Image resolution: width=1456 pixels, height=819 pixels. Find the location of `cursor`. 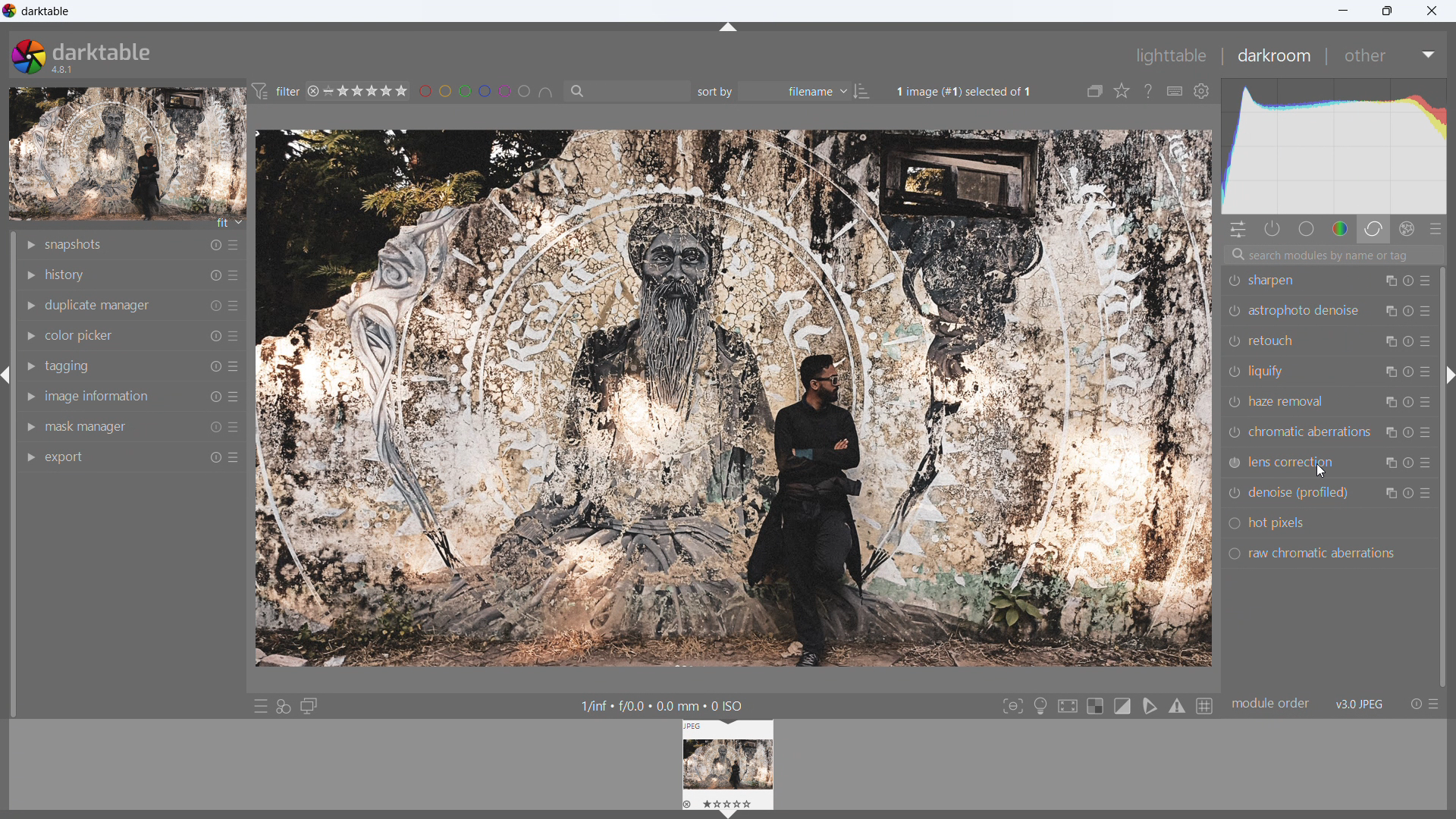

cursor is located at coordinates (1316, 471).